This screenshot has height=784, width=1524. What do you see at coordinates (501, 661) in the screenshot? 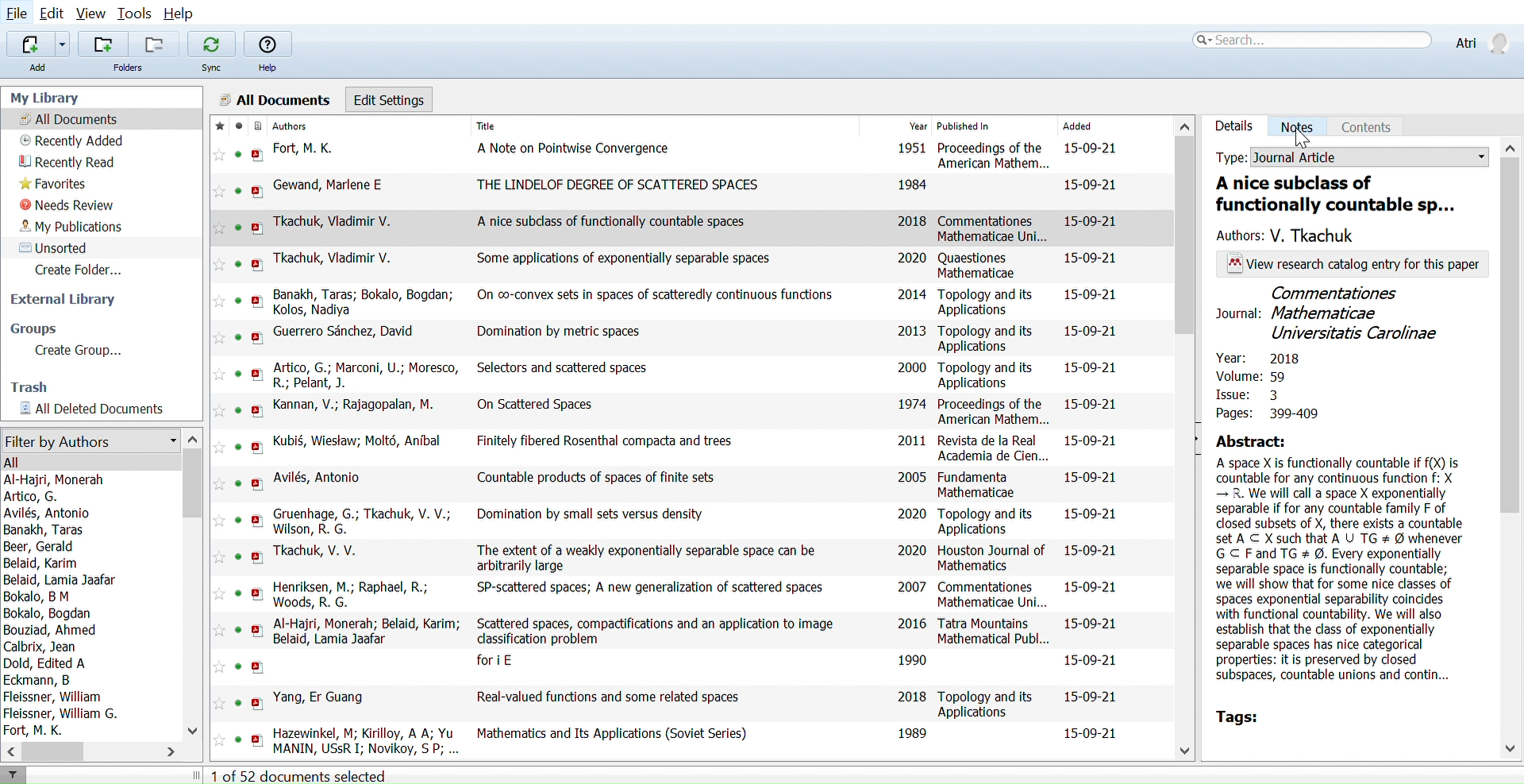
I see `fori E` at bounding box center [501, 661].